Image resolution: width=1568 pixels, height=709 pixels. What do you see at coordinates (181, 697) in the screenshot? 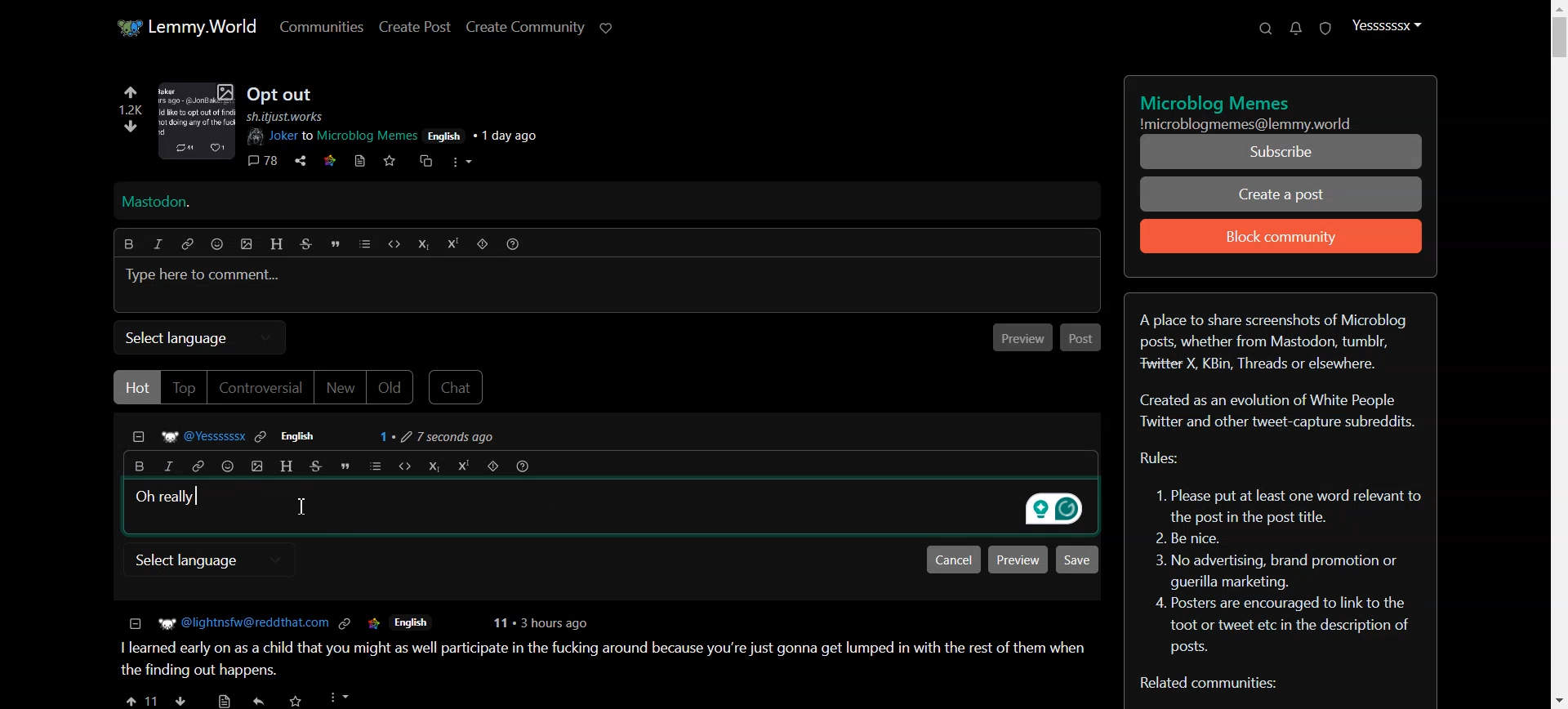
I see `downvote` at bounding box center [181, 697].